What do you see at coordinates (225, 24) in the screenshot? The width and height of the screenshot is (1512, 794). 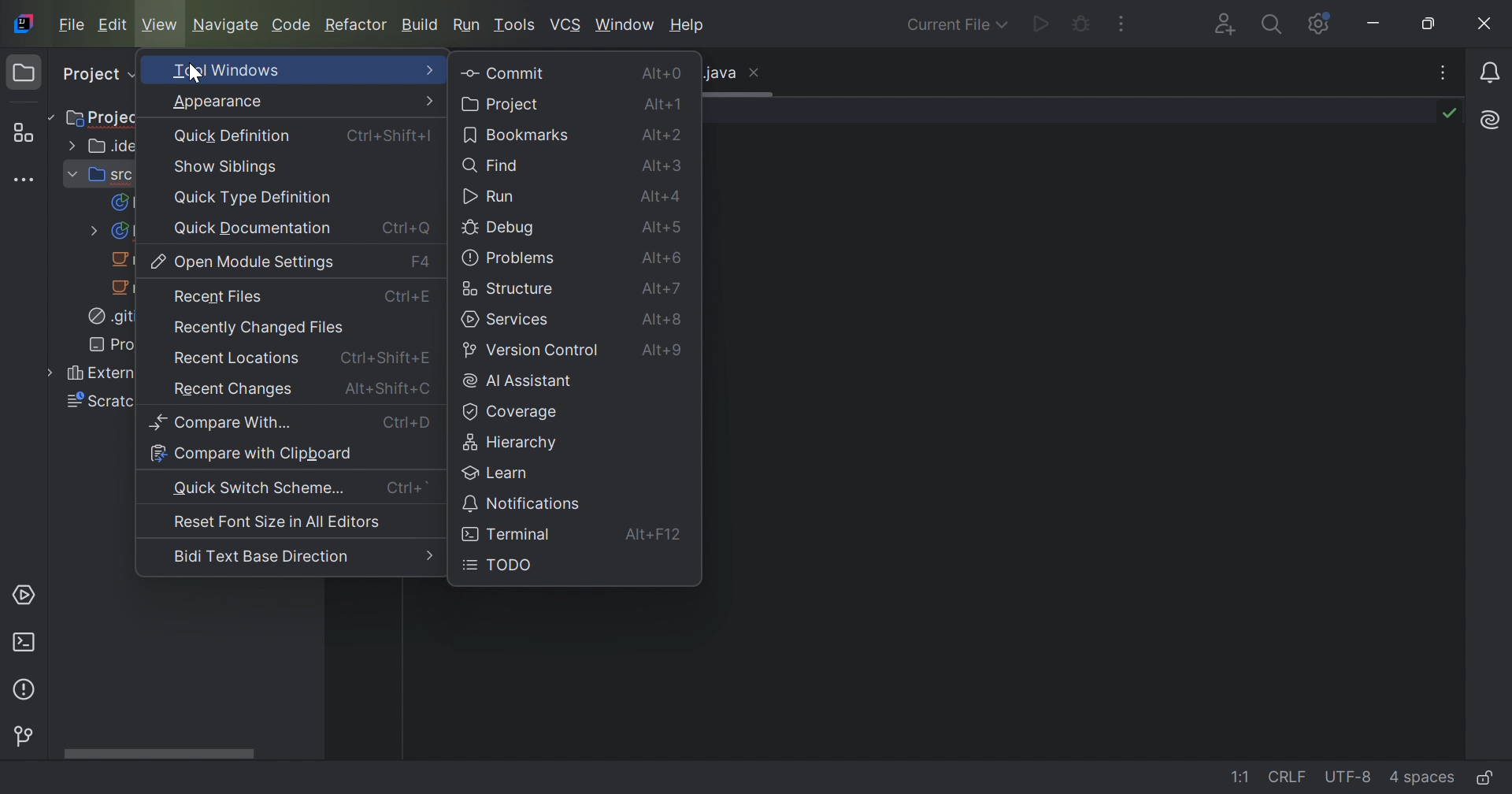 I see `Navigate` at bounding box center [225, 24].